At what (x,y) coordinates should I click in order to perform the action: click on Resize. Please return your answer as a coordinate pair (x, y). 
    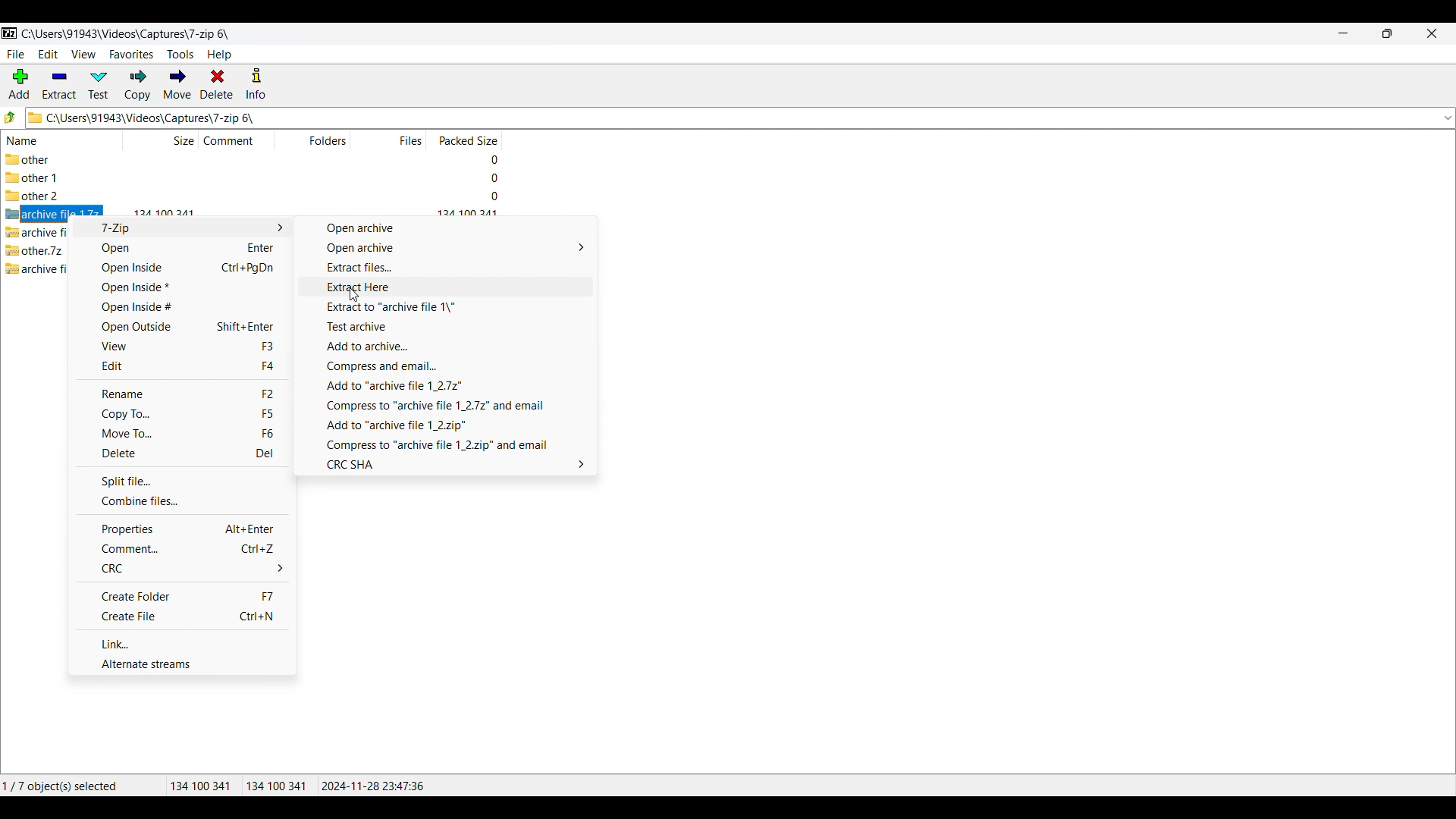
    Looking at the image, I should click on (1387, 33).